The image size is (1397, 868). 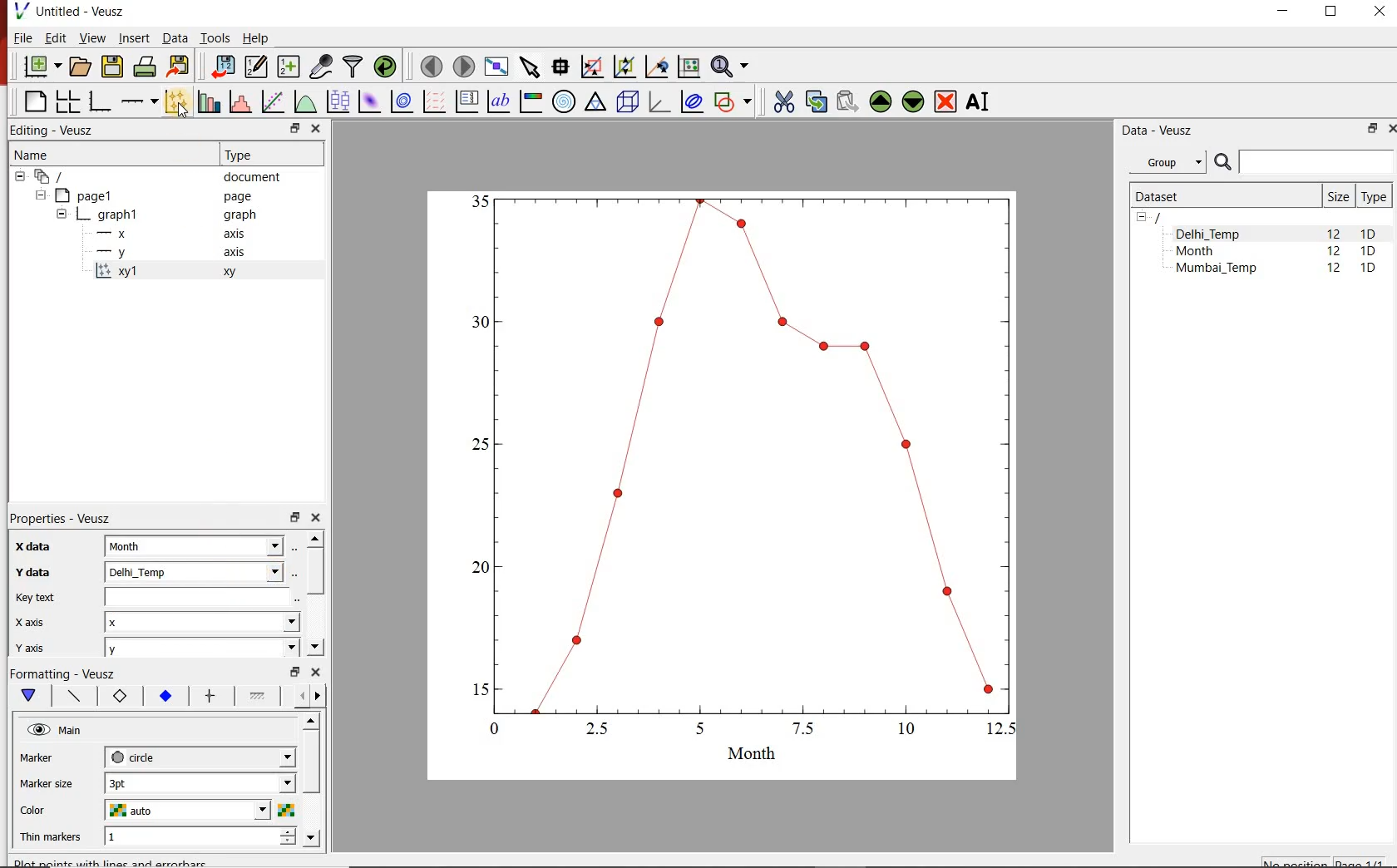 I want to click on Marker size, so click(x=47, y=785).